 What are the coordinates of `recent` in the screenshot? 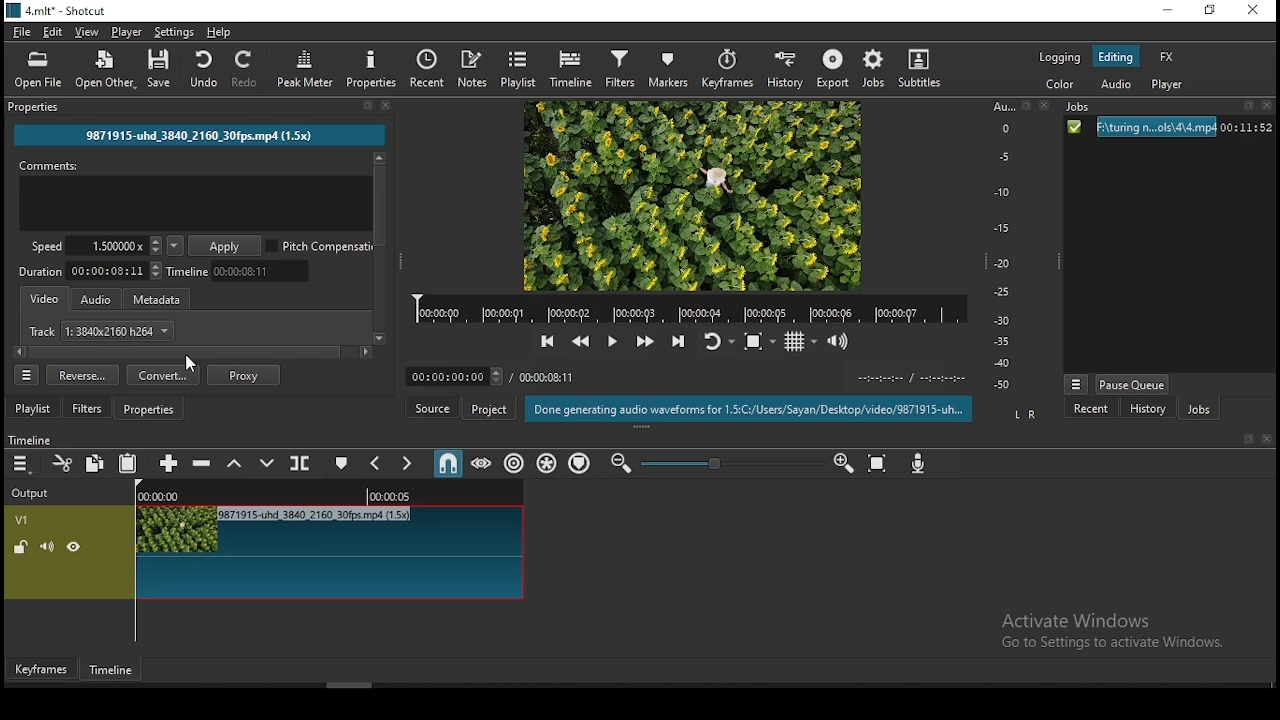 It's located at (432, 69).